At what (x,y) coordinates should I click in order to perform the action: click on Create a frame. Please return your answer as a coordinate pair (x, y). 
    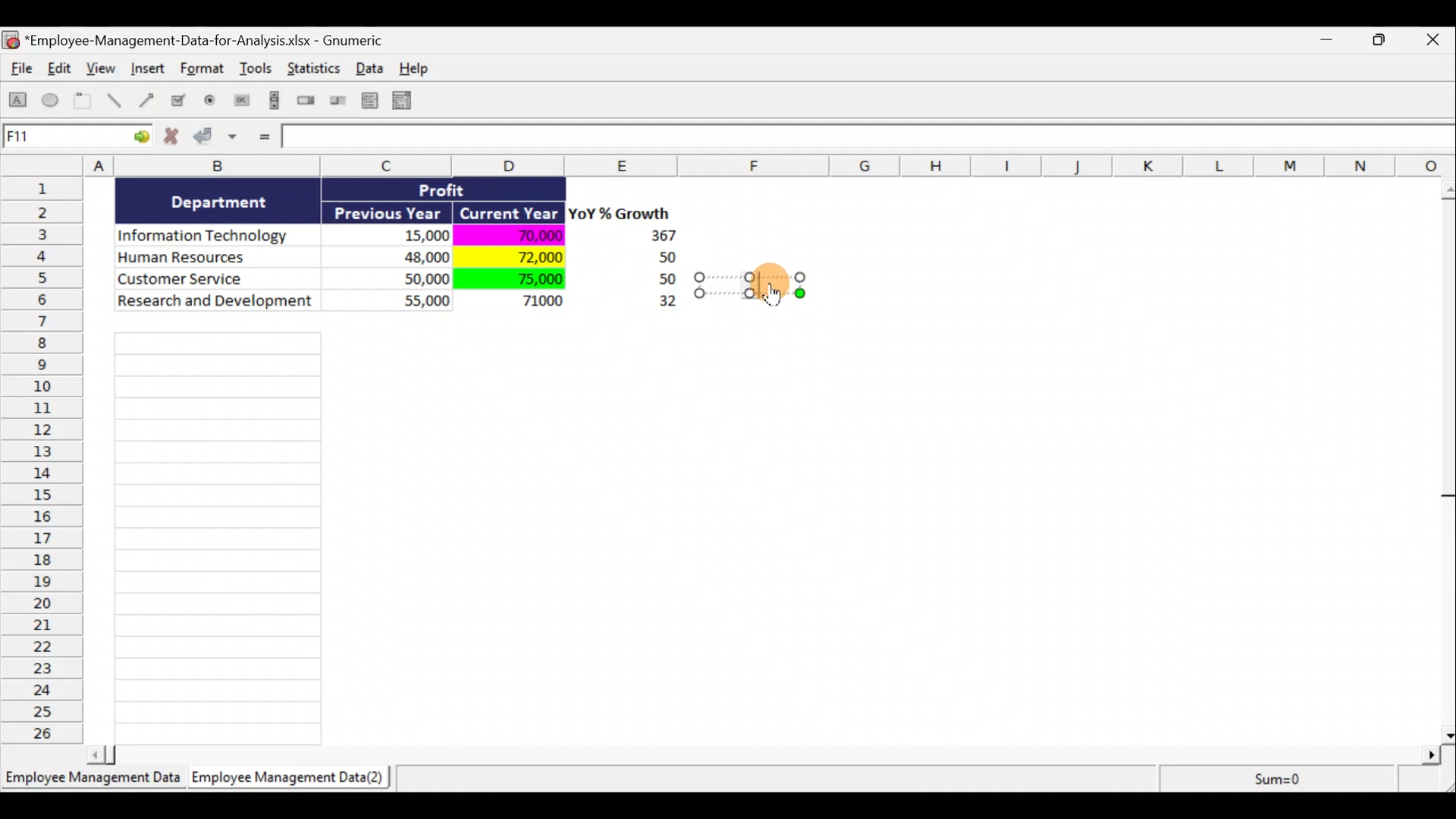
    Looking at the image, I should click on (83, 102).